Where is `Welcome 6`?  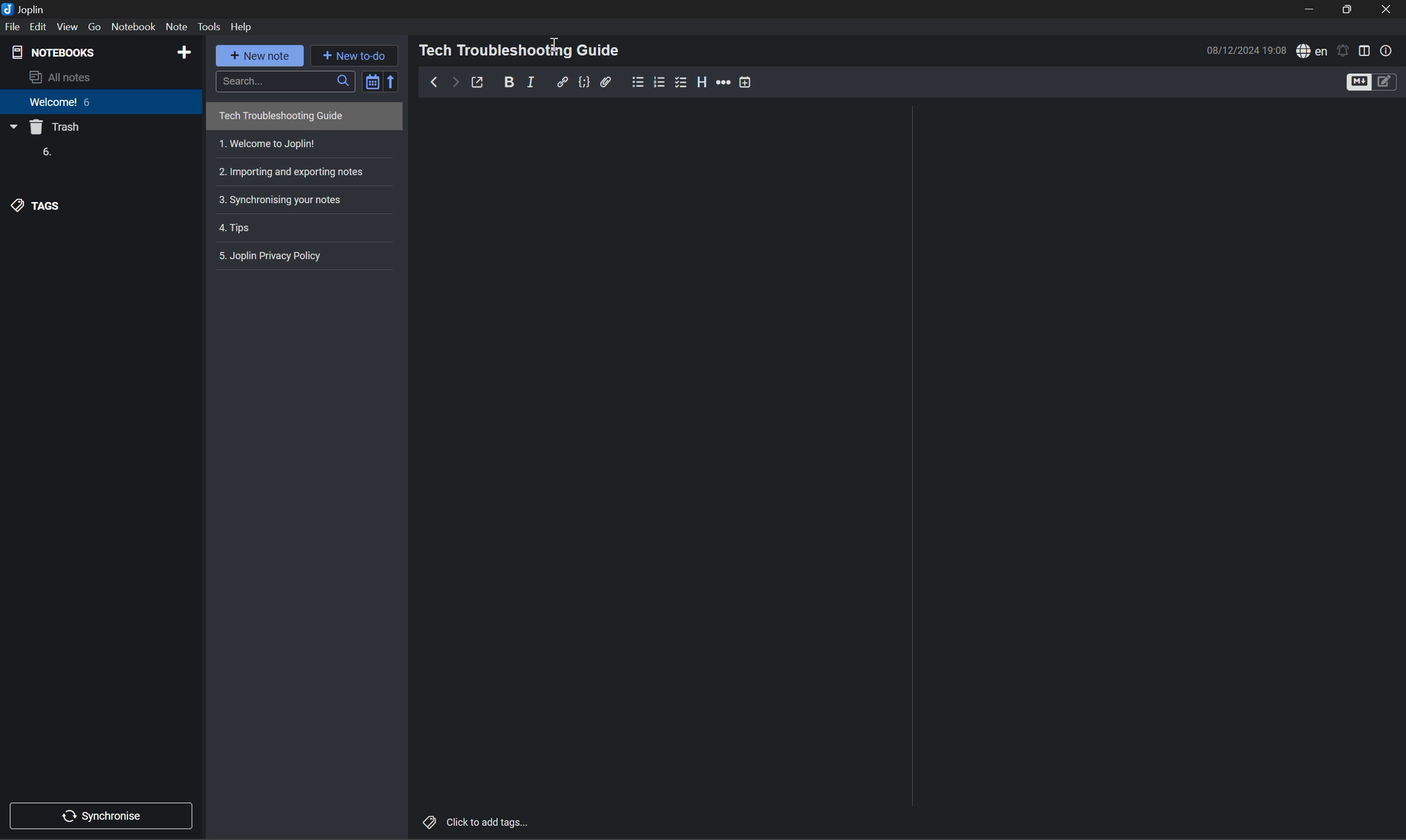
Welcome 6 is located at coordinates (62, 106).